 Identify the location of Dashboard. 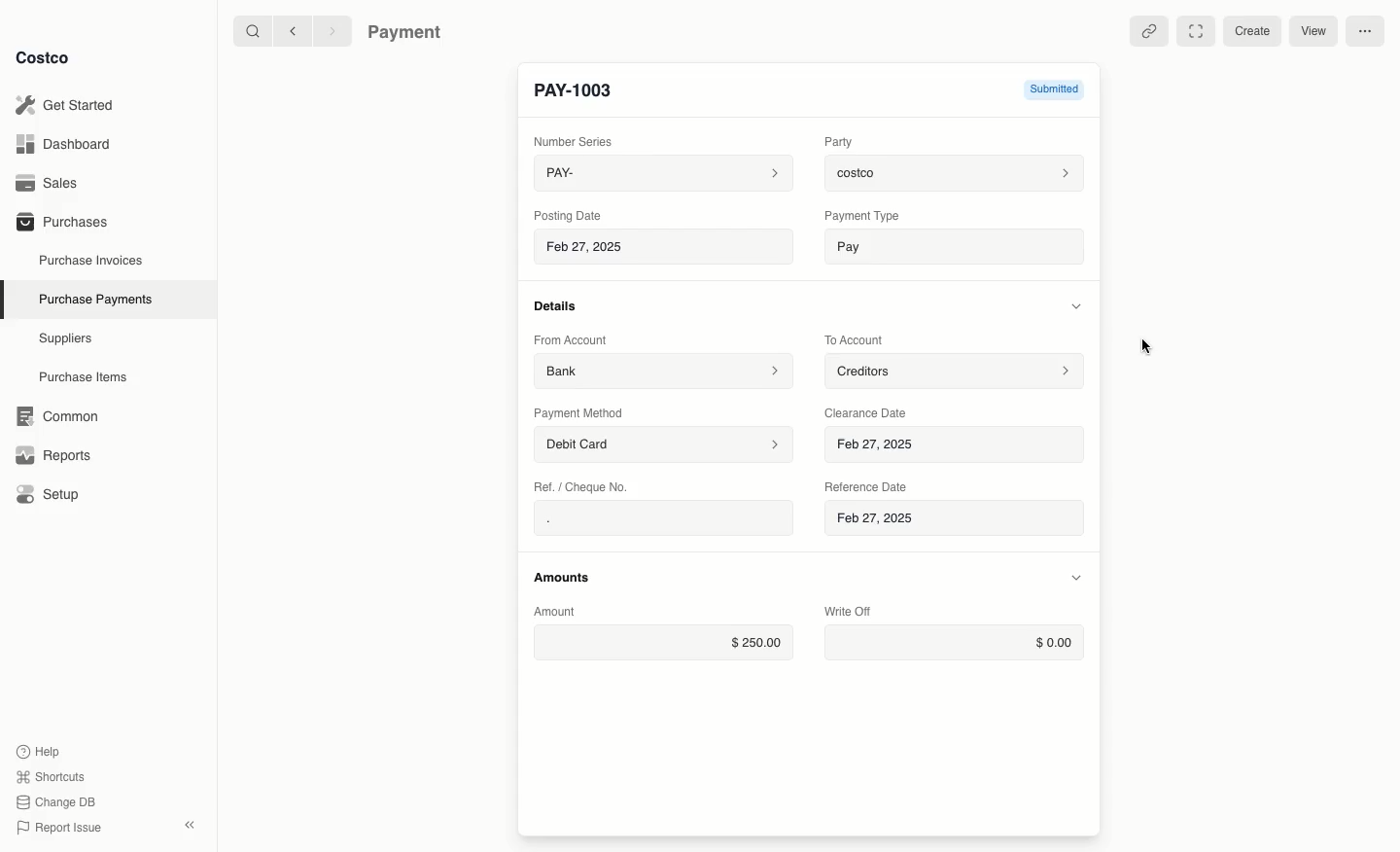
(69, 143).